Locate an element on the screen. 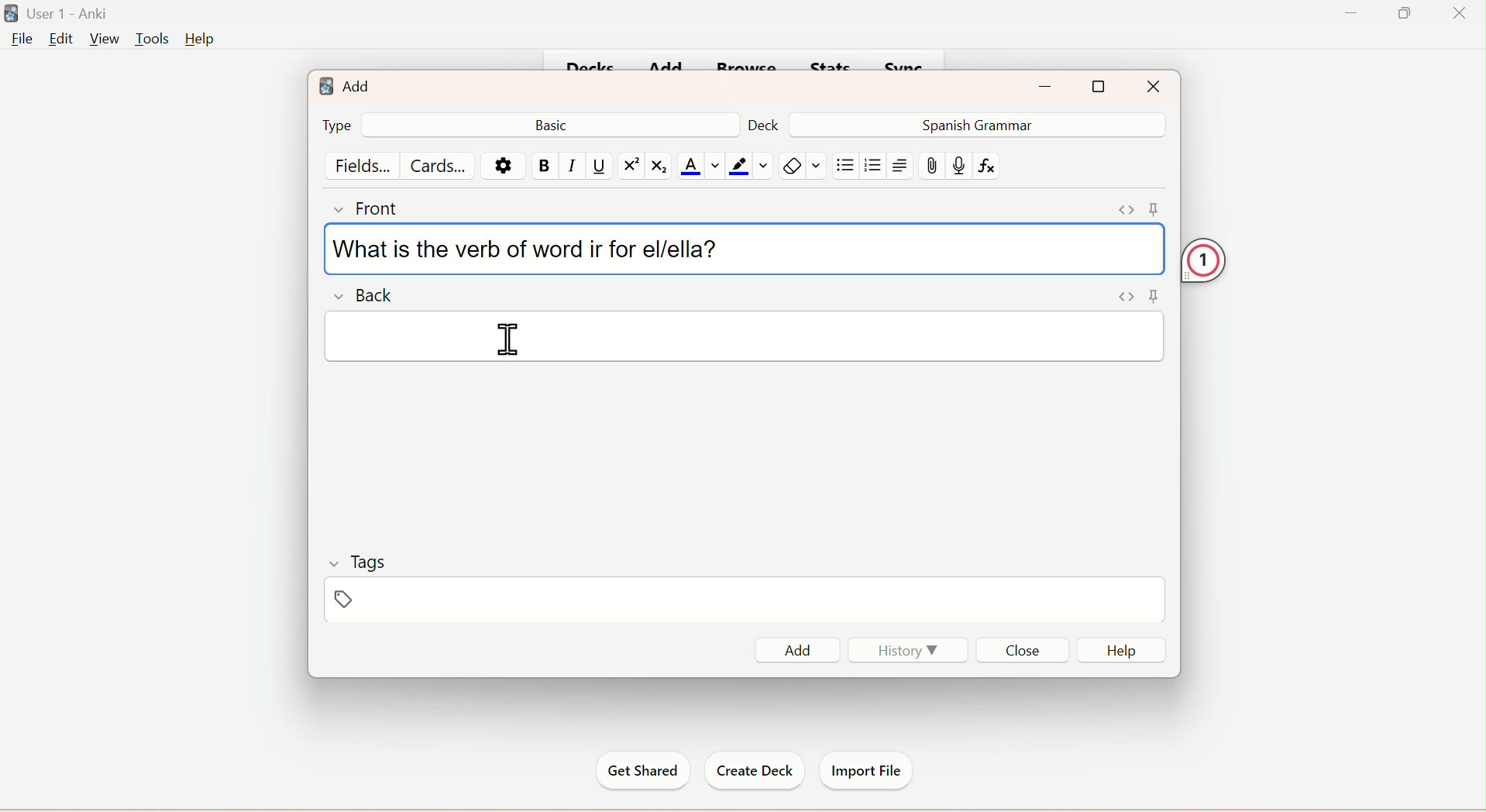 The height and width of the screenshot is (812, 1486). Create Deck is located at coordinates (750, 771).